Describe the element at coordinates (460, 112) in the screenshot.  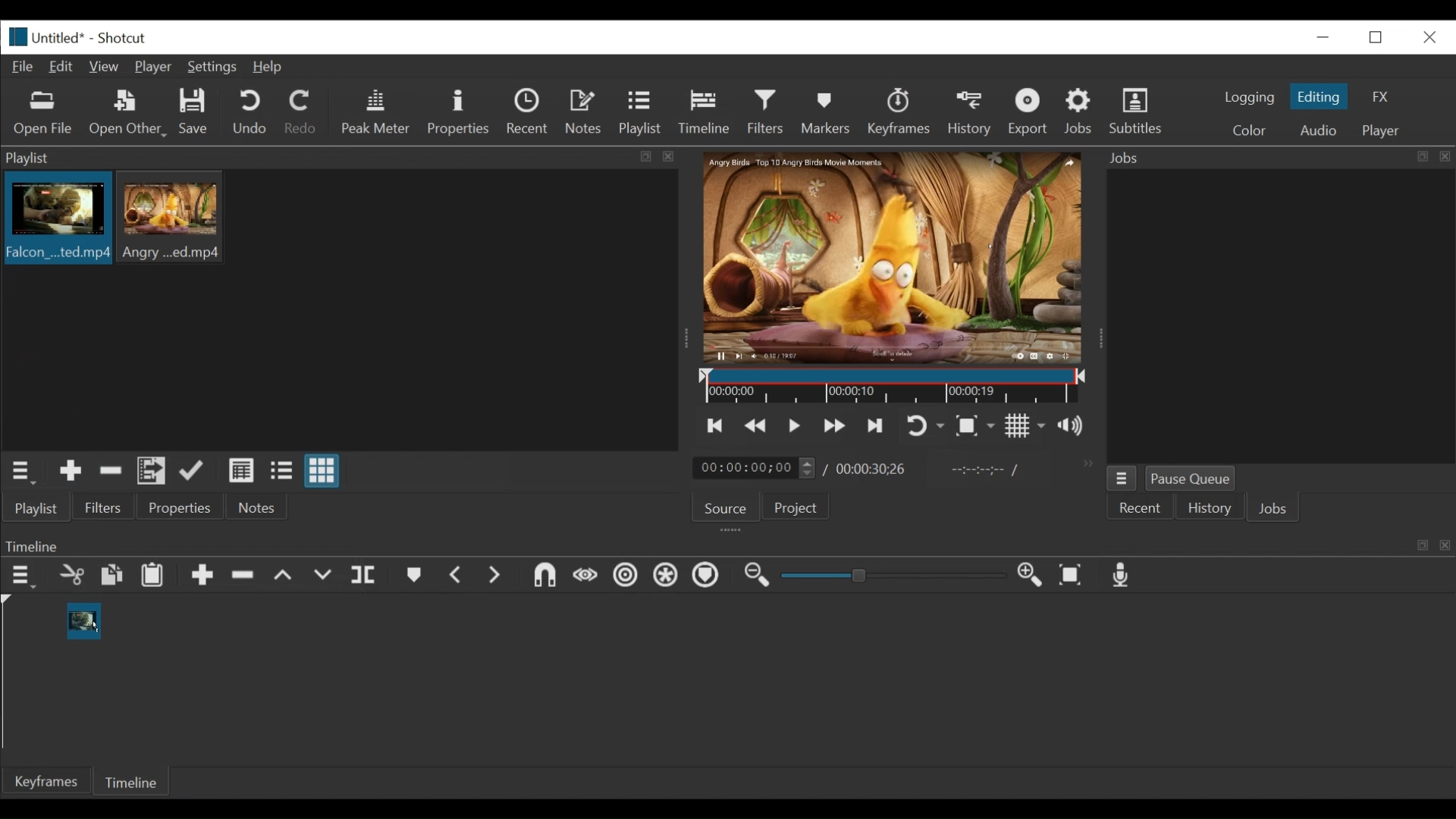
I see `Properties` at that location.